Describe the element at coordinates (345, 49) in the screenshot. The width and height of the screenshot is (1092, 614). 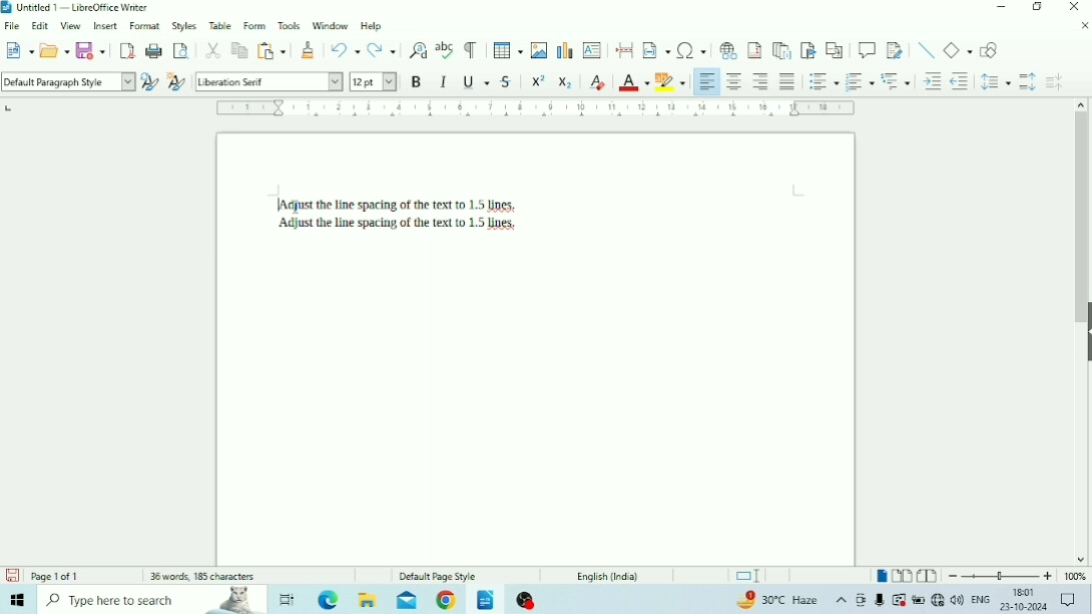
I see `Undo` at that location.